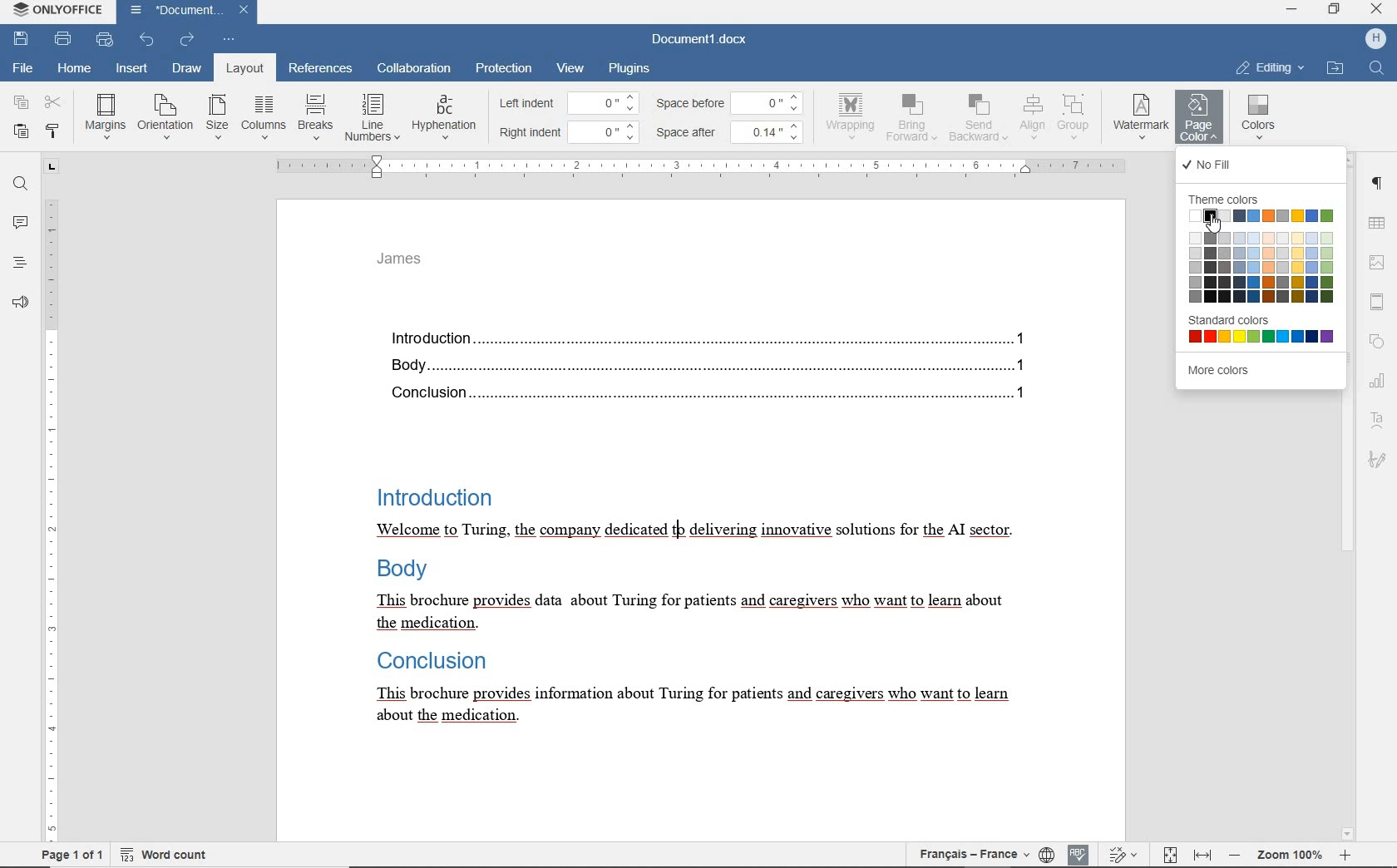 Image resolution: width=1397 pixels, height=868 pixels. Describe the element at coordinates (718, 530) in the screenshot. I see `text` at that location.